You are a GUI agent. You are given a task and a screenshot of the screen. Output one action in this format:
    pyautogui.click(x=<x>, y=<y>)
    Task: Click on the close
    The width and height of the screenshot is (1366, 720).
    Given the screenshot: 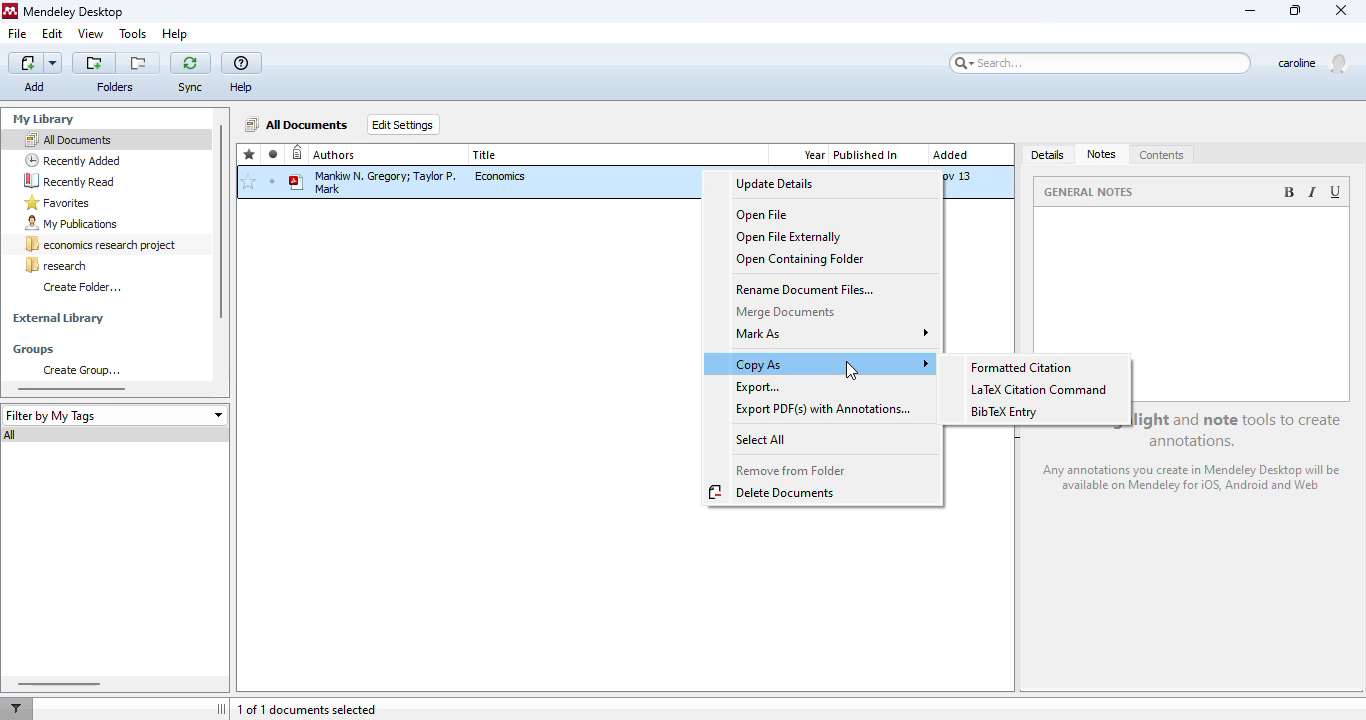 What is the action you would take?
    pyautogui.click(x=1343, y=11)
    